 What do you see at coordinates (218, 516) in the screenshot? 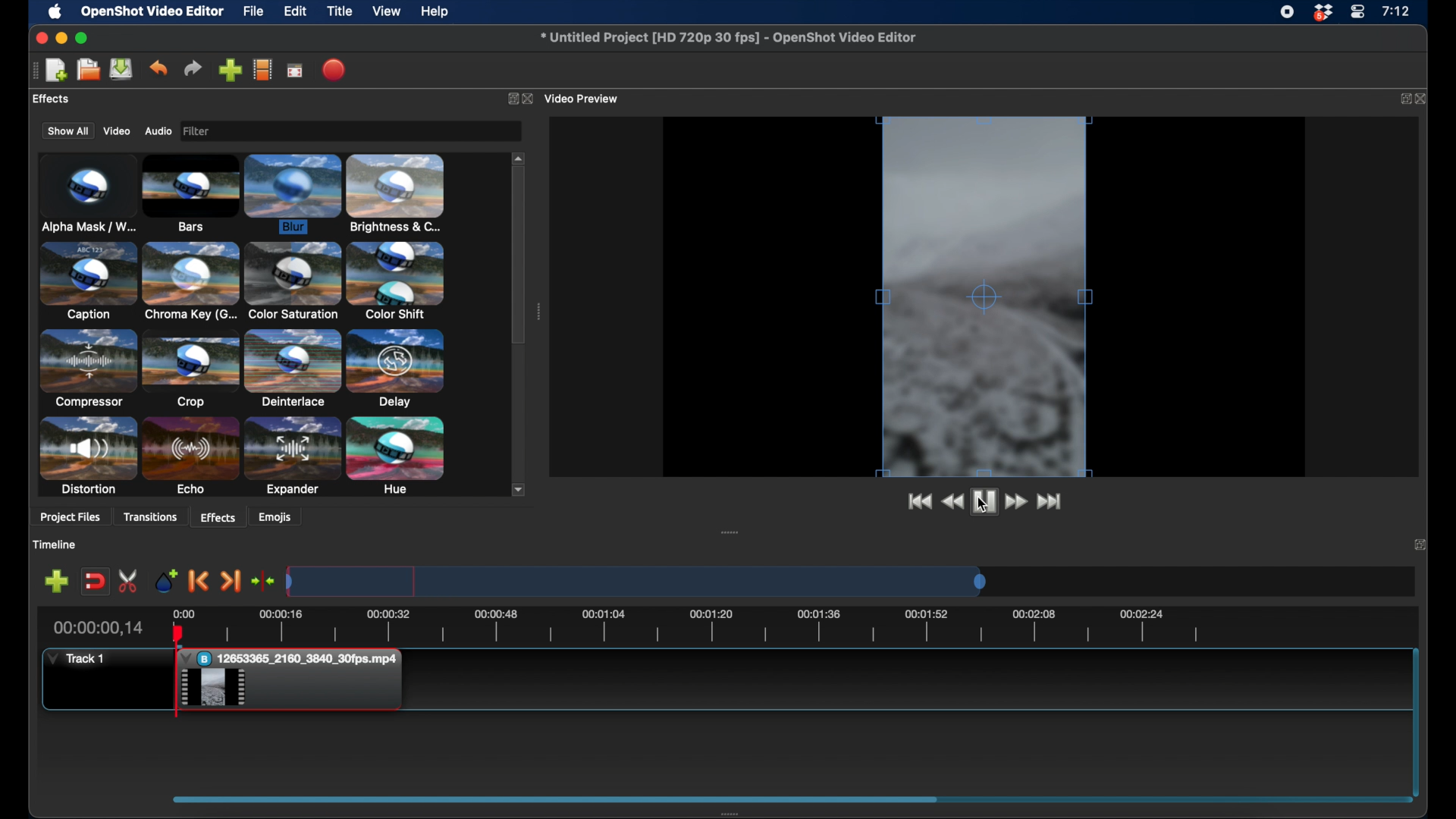
I see `effects` at bounding box center [218, 516].